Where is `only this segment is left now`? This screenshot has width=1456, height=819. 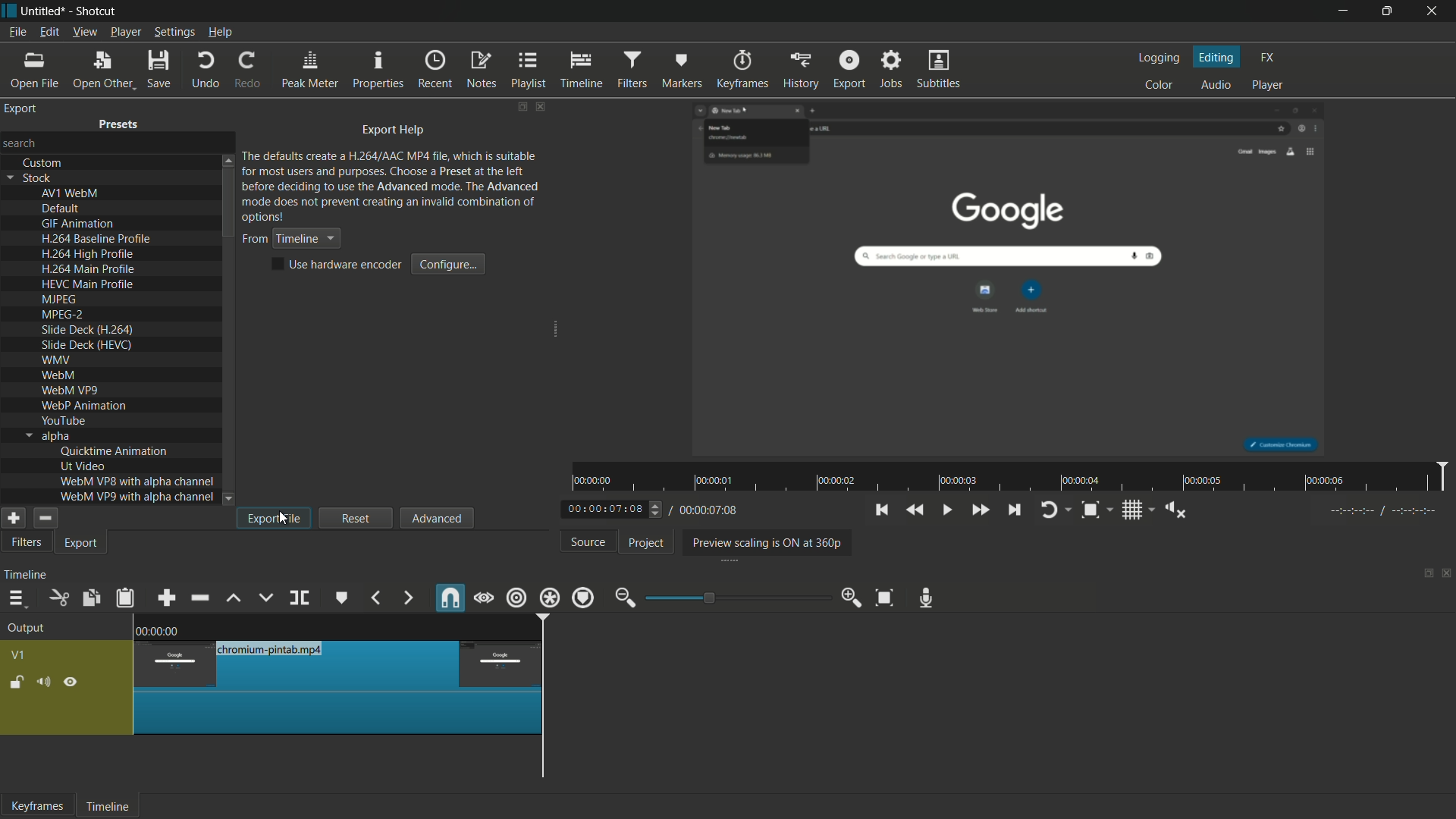 only this segment is left now is located at coordinates (339, 687).